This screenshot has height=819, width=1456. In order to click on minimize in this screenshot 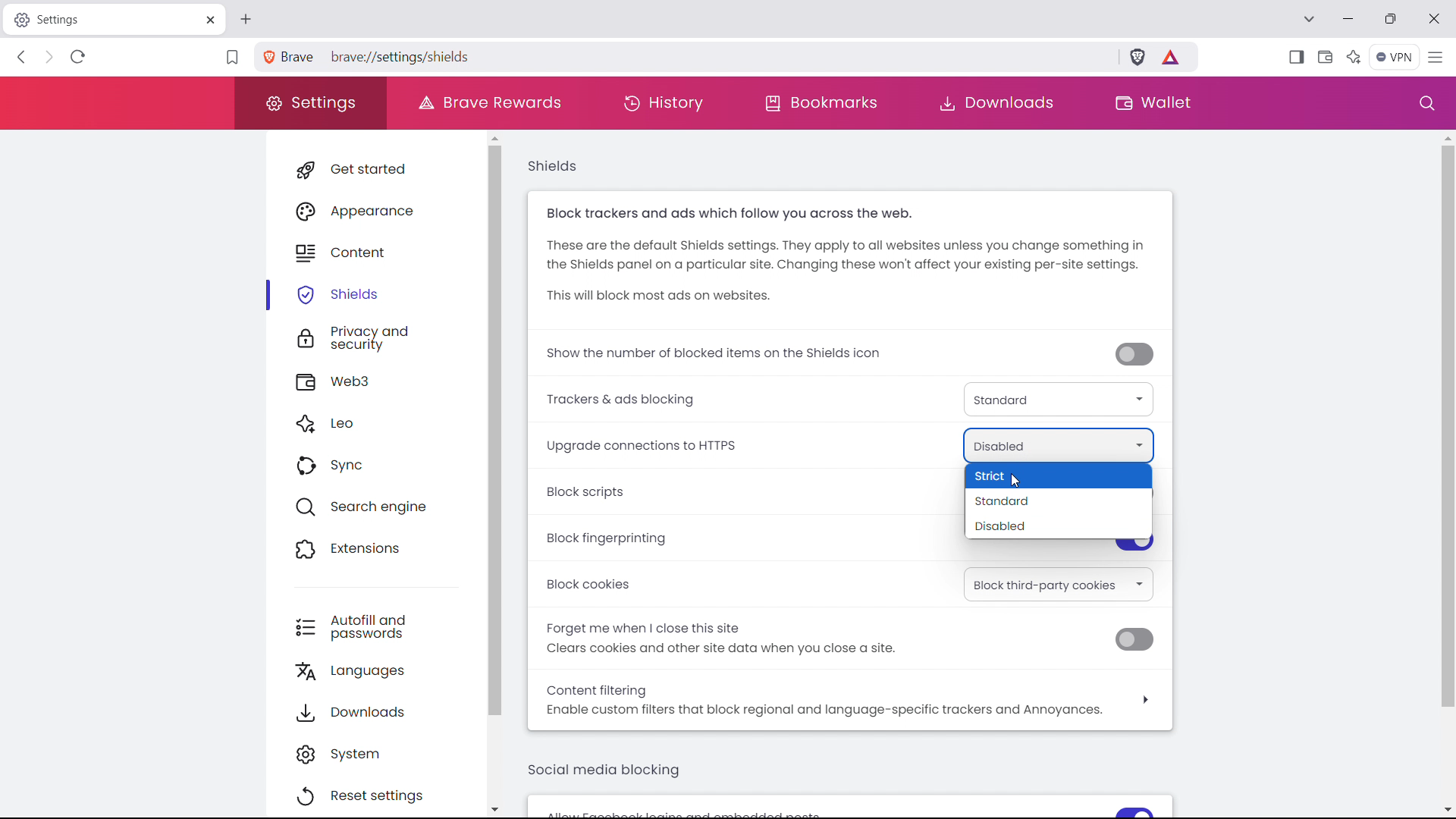, I will do `click(1348, 20)`.